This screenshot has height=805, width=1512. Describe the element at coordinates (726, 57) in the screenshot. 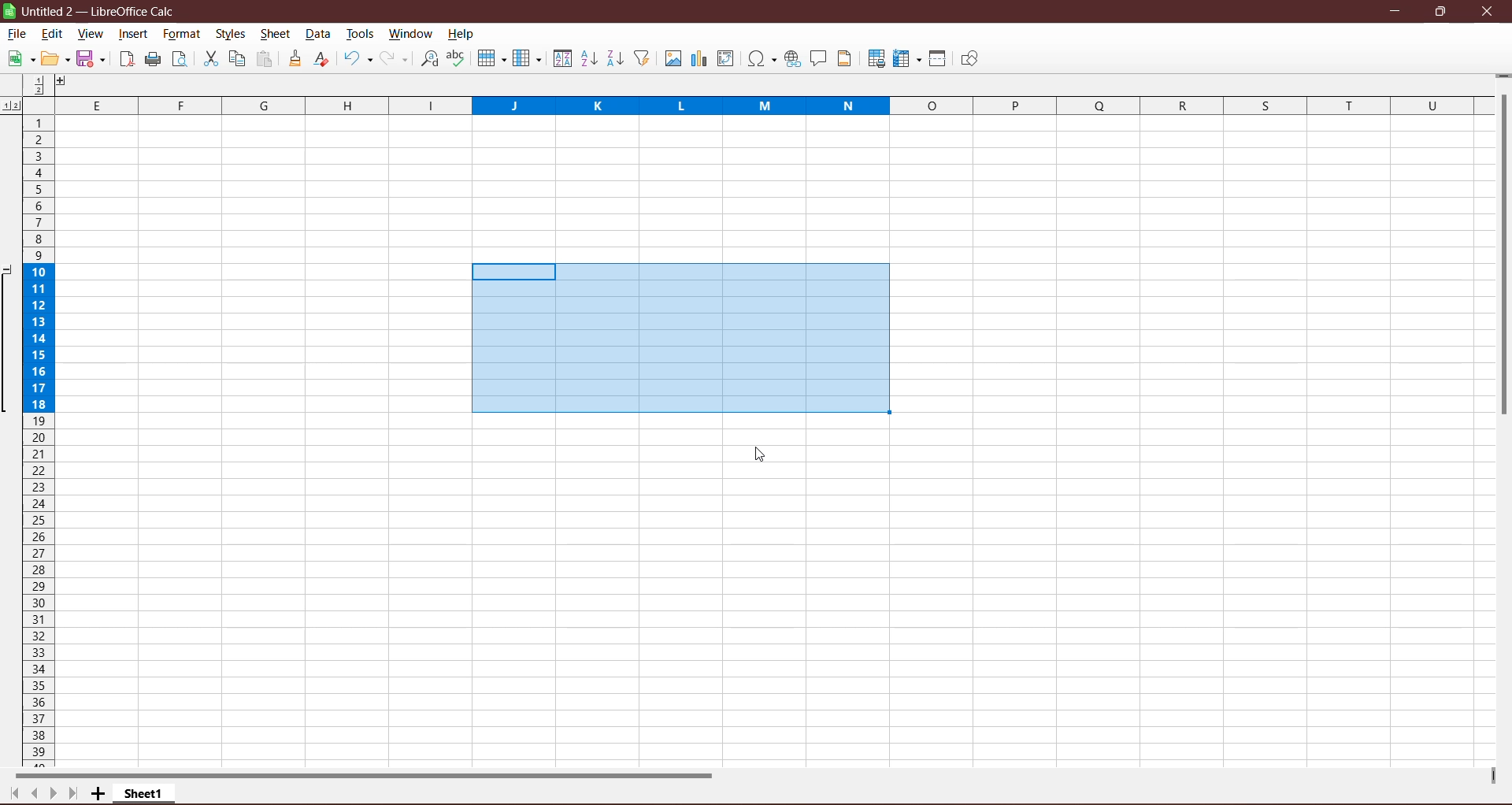

I see `Insert or Edit Pivot table` at that location.